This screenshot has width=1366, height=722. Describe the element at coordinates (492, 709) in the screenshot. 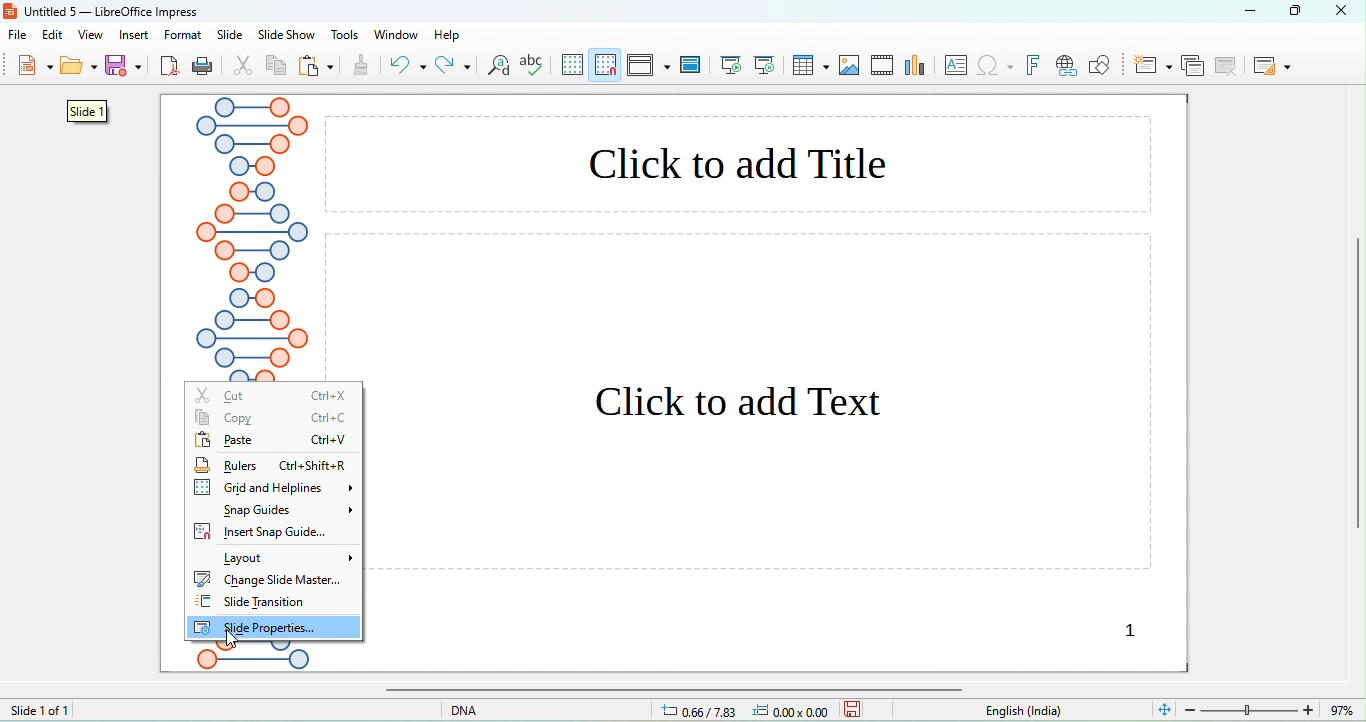

I see `DNA` at that location.